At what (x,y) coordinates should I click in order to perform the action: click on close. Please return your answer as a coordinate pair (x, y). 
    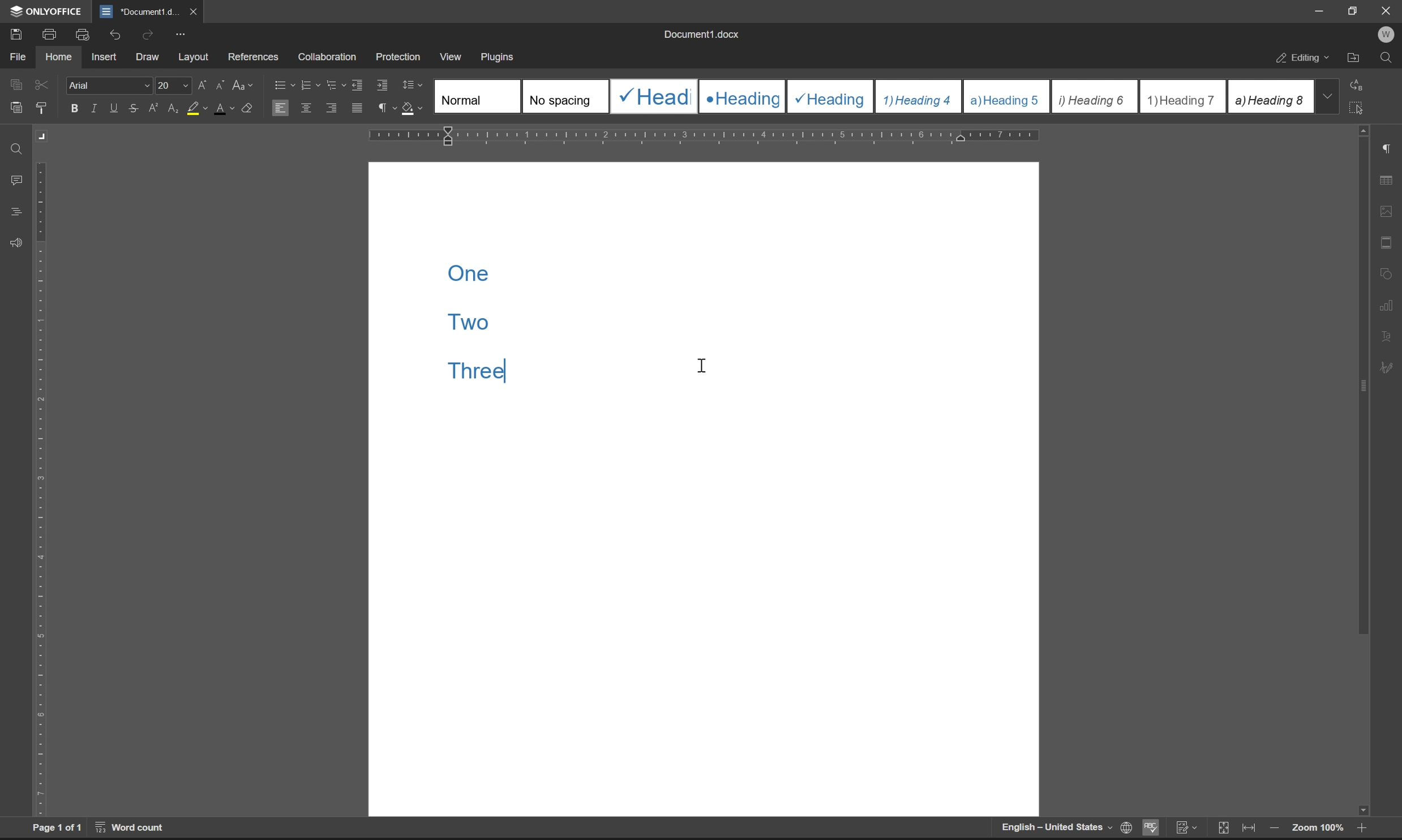
    Looking at the image, I should click on (192, 11).